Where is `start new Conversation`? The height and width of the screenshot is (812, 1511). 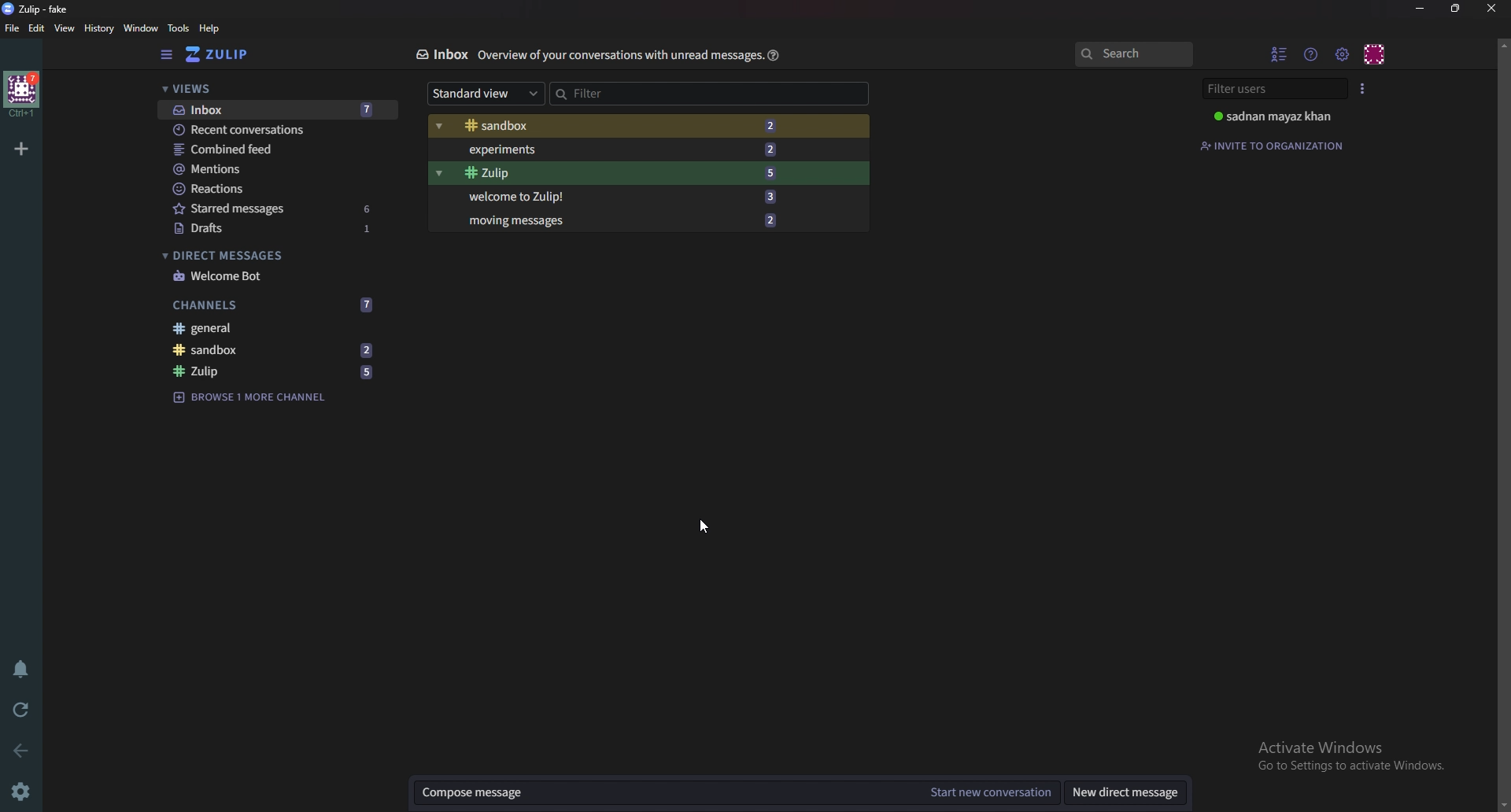
start new Conversation is located at coordinates (992, 792).